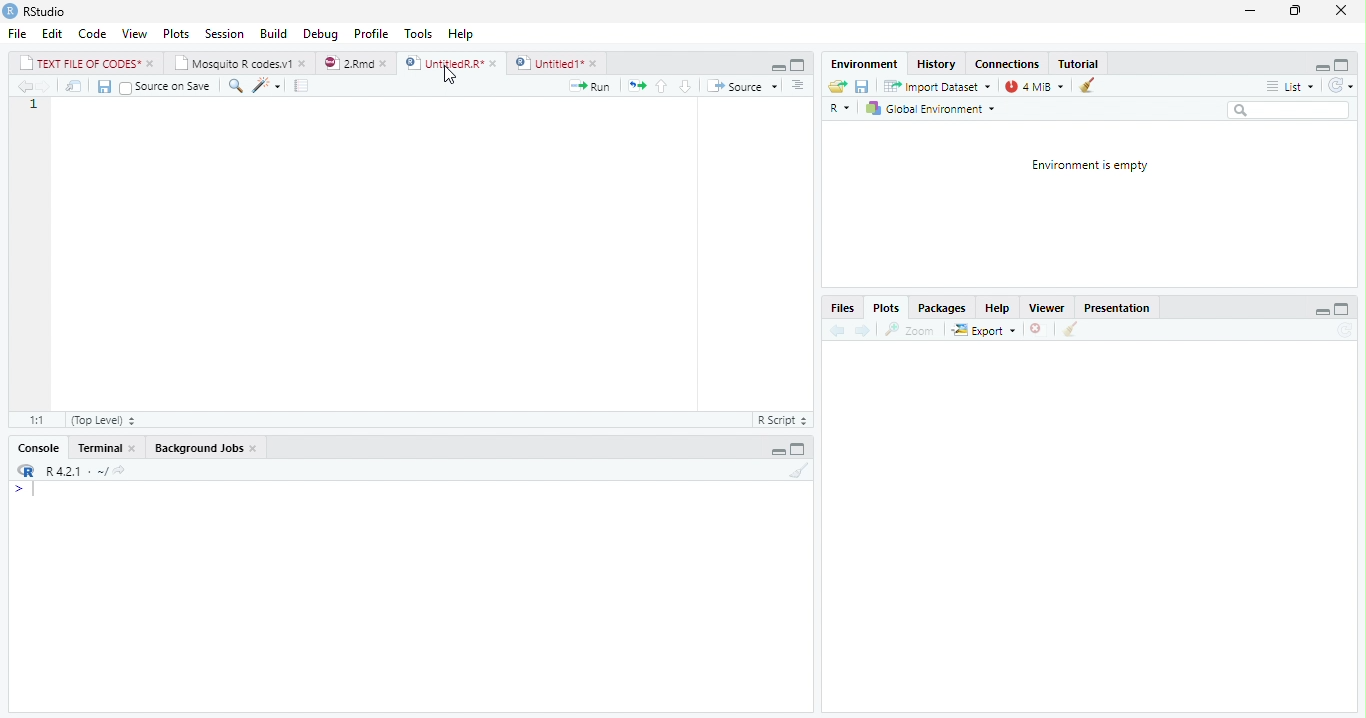 The image size is (1366, 718). I want to click on Terminal, so click(105, 447).